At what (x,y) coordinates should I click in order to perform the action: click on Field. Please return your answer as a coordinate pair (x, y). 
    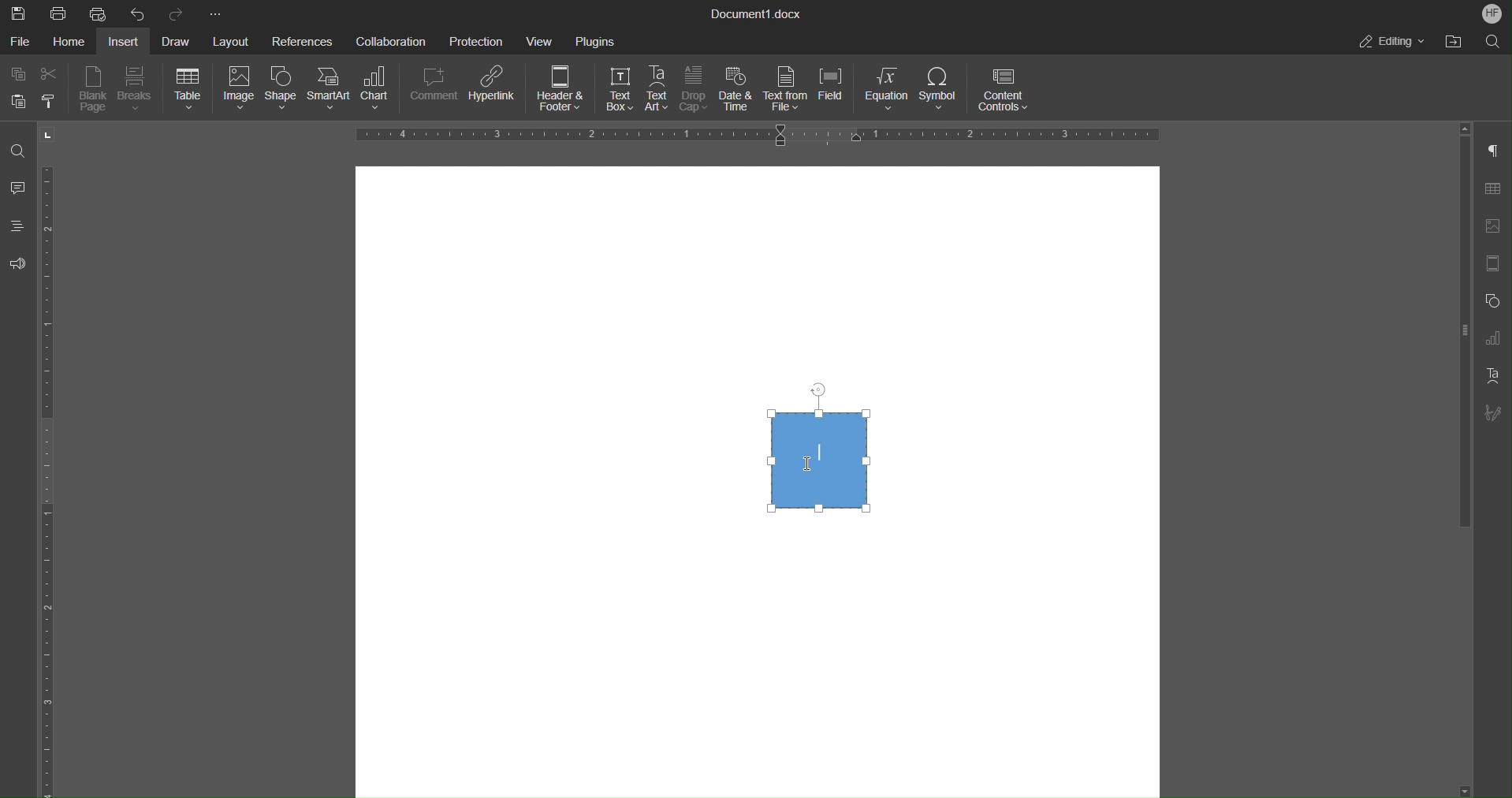
    Looking at the image, I should click on (836, 91).